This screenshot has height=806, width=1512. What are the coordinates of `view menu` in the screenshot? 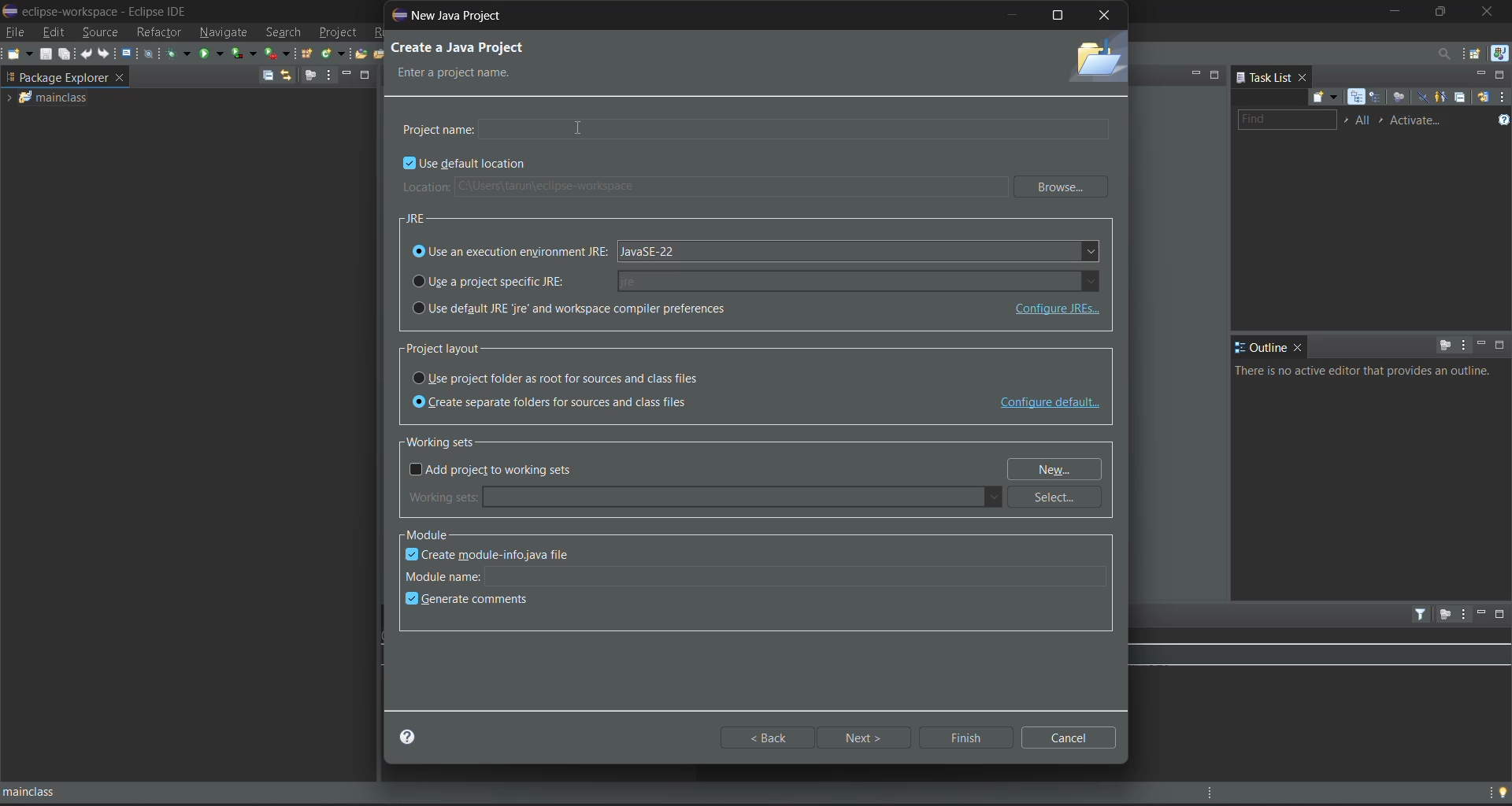 It's located at (328, 76).